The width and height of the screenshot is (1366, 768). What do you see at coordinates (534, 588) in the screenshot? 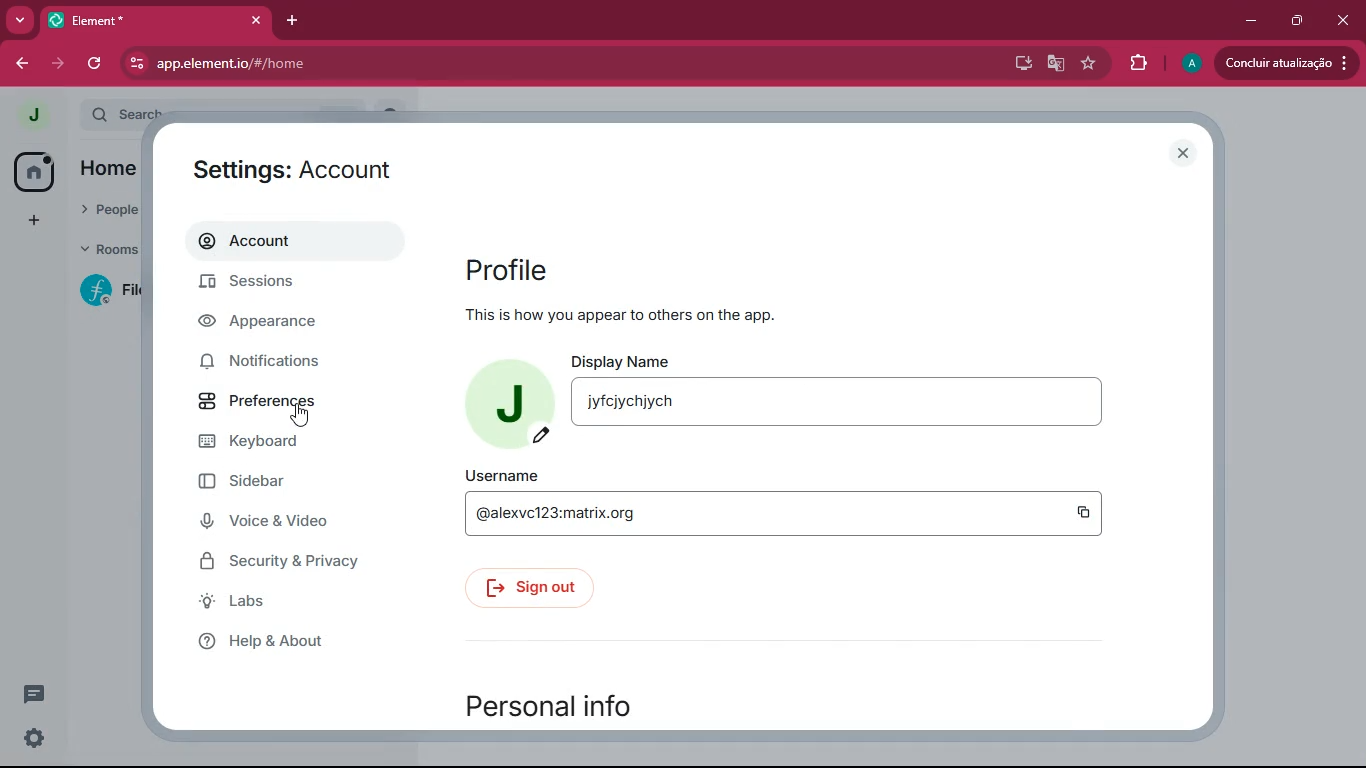
I see `sign out` at bounding box center [534, 588].